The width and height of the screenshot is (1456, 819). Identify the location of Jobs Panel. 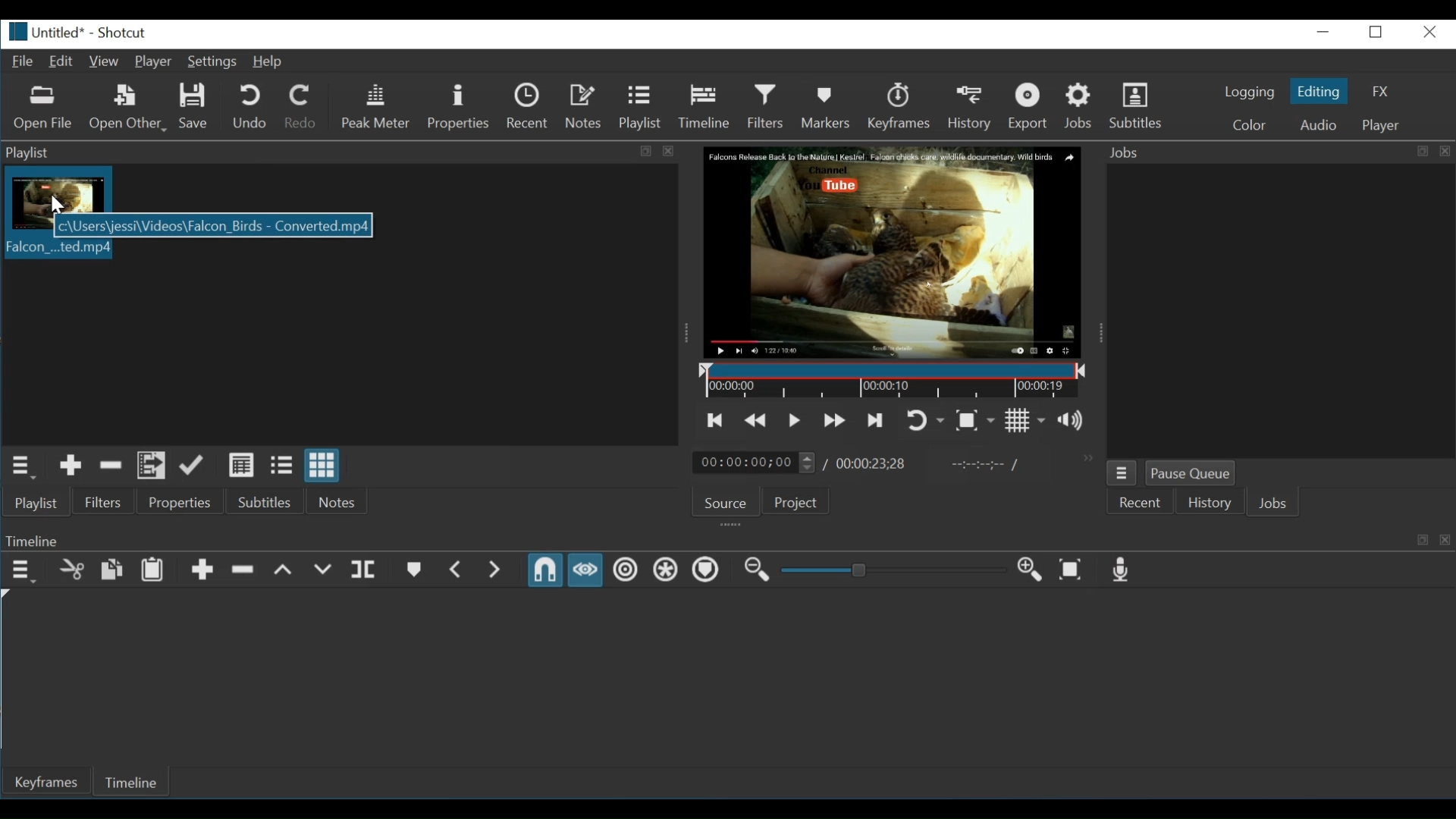
(1277, 152).